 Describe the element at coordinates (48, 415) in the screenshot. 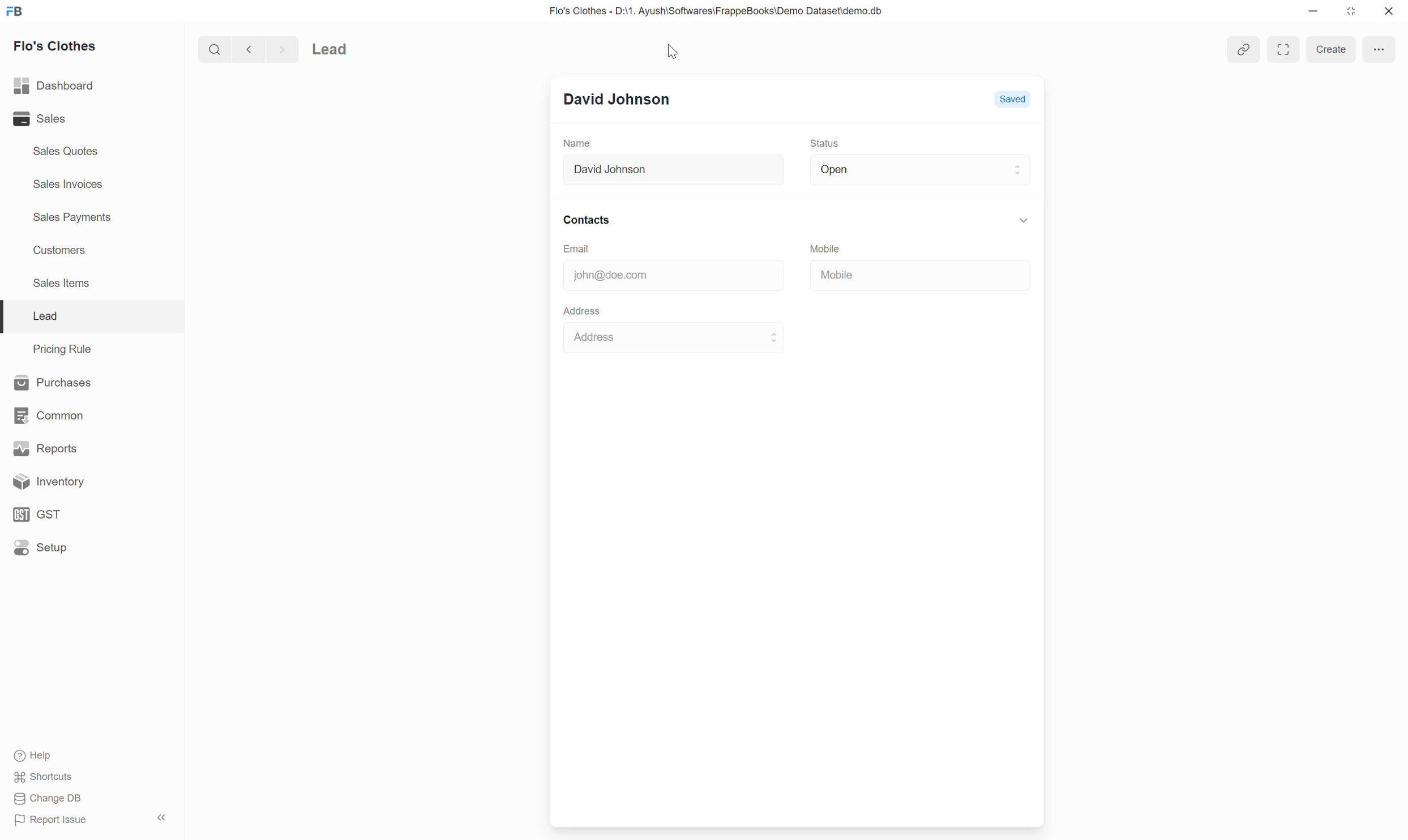

I see ` Common` at that location.